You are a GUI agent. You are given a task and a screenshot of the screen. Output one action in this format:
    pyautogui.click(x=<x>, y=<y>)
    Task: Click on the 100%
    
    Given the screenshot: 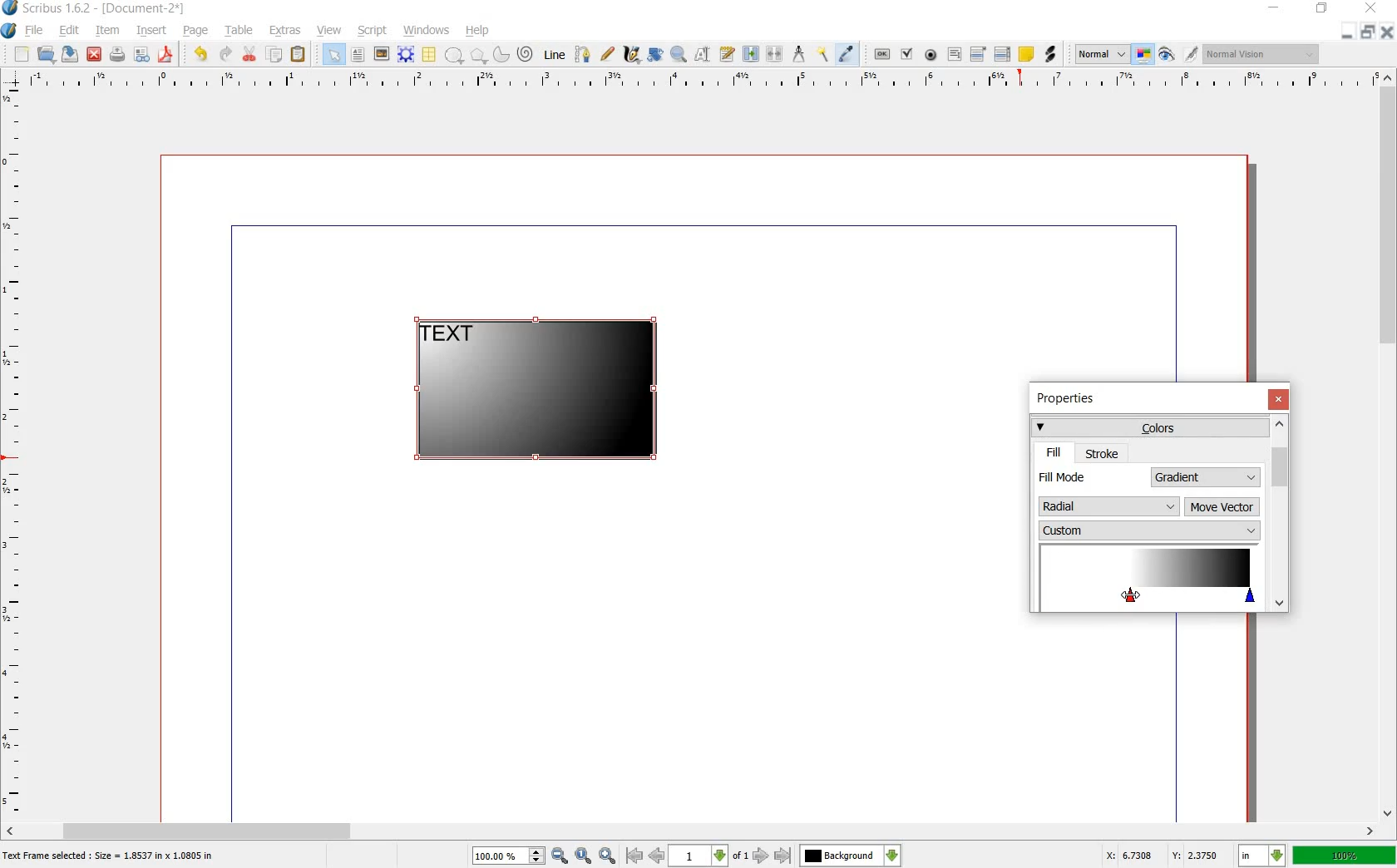 What is the action you would take?
    pyautogui.click(x=1345, y=855)
    